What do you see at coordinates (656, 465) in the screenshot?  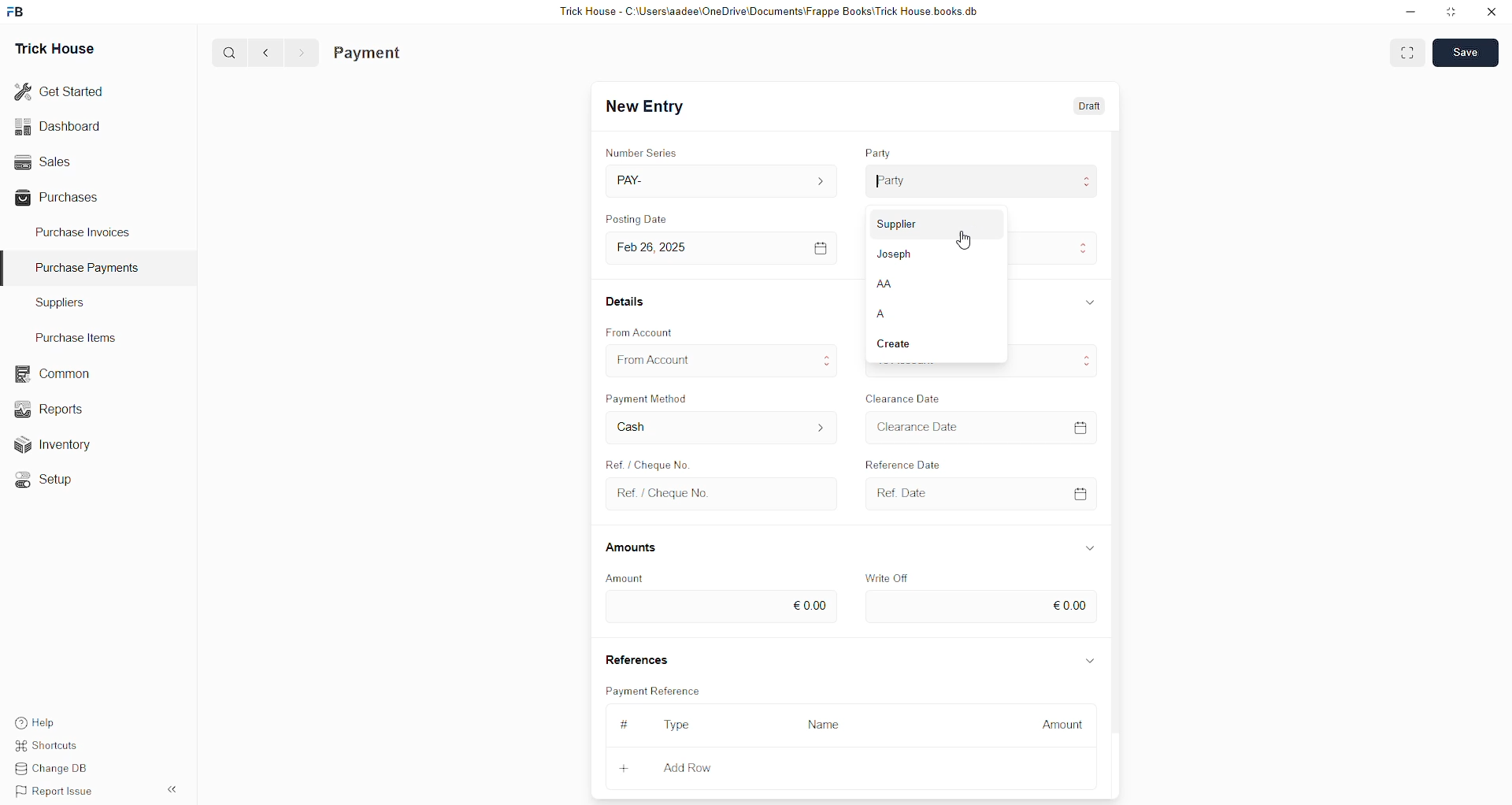 I see `Ref. / Cheque No.` at bounding box center [656, 465].